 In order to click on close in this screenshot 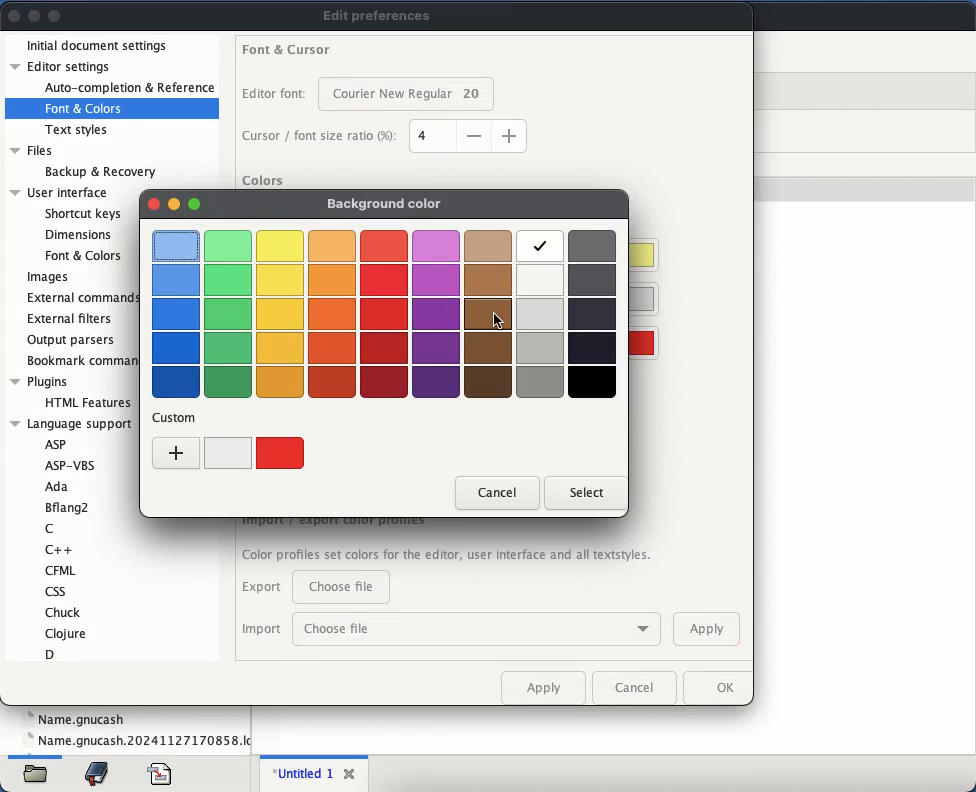, I will do `click(349, 774)`.